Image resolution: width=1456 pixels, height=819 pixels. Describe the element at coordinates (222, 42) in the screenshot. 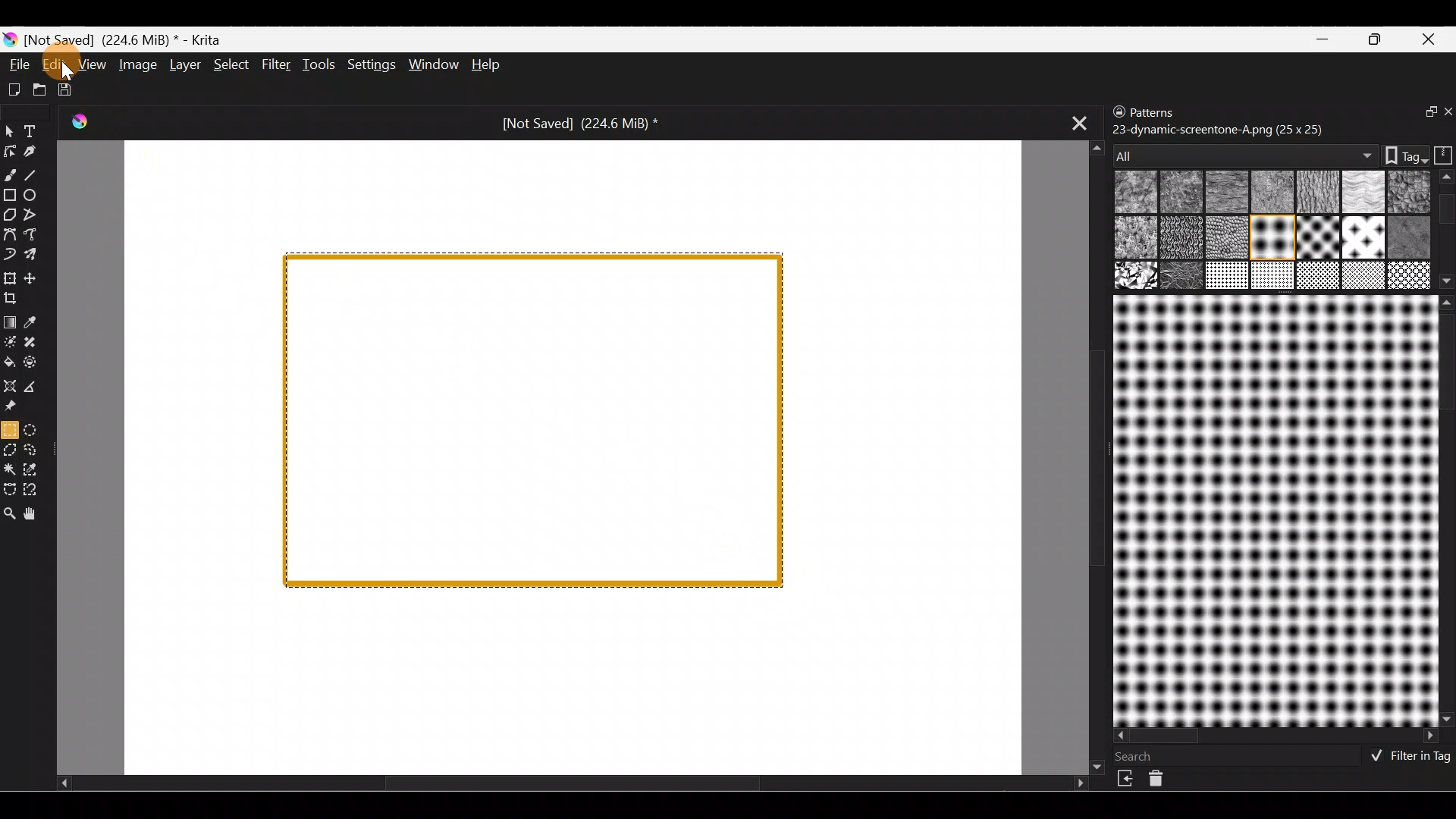

I see `[Not Saved] (214.5 MiB) * - Krita` at that location.